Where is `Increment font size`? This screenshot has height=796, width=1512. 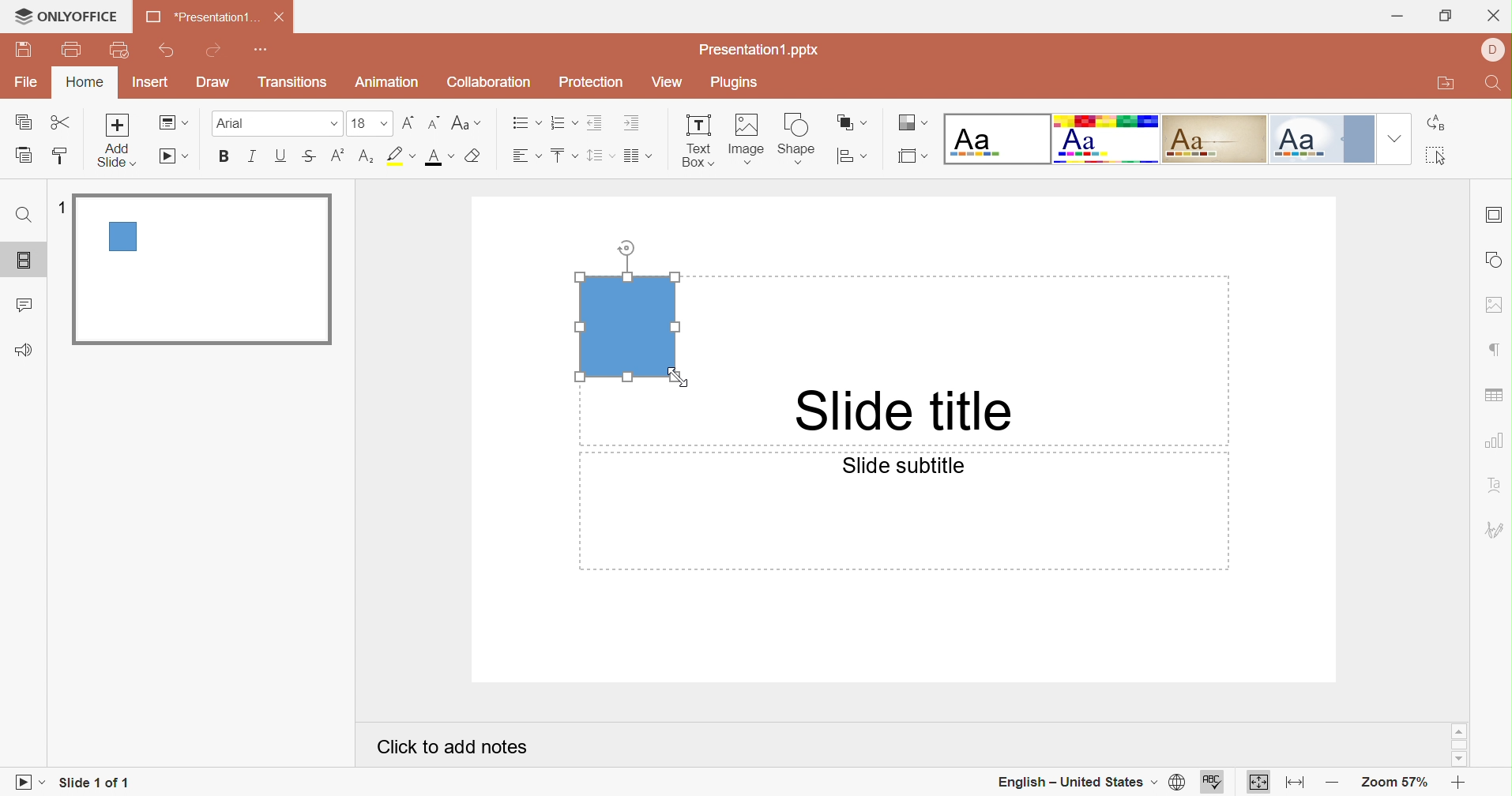 Increment font size is located at coordinates (408, 125).